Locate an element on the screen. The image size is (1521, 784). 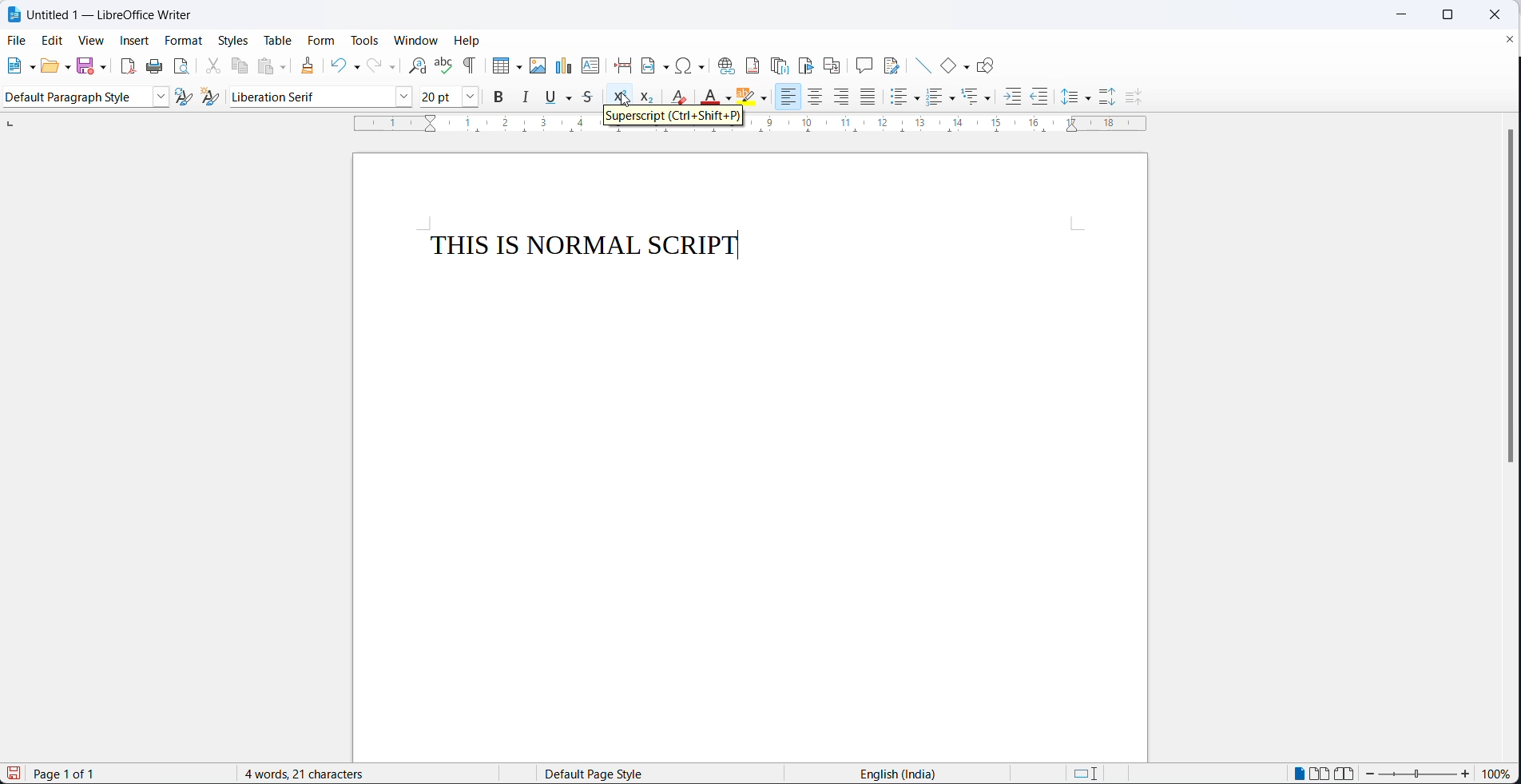
paragraph style is located at coordinates (74, 97).